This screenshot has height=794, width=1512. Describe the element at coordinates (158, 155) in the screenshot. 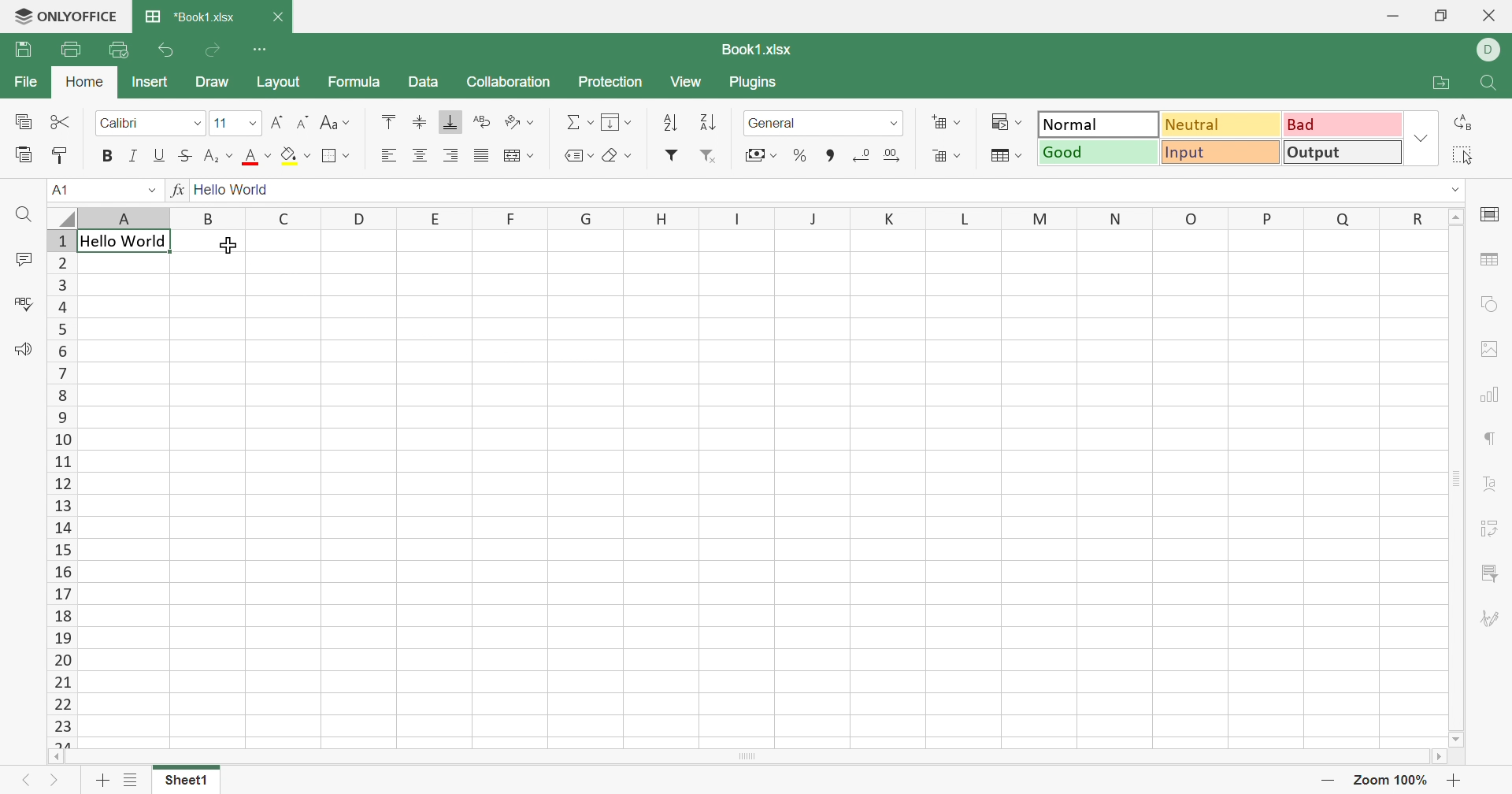

I see `Underline` at that location.